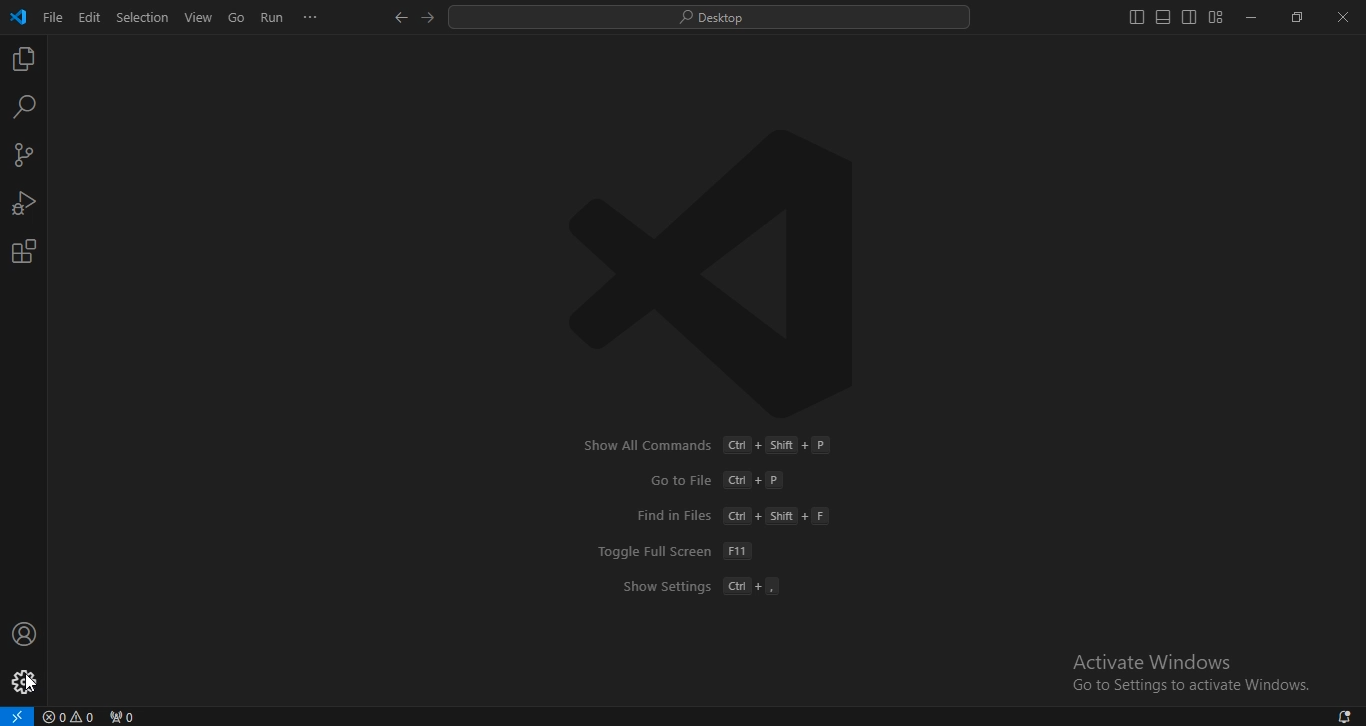 The width and height of the screenshot is (1366, 726). Describe the element at coordinates (22, 202) in the screenshot. I see `run and debug` at that location.